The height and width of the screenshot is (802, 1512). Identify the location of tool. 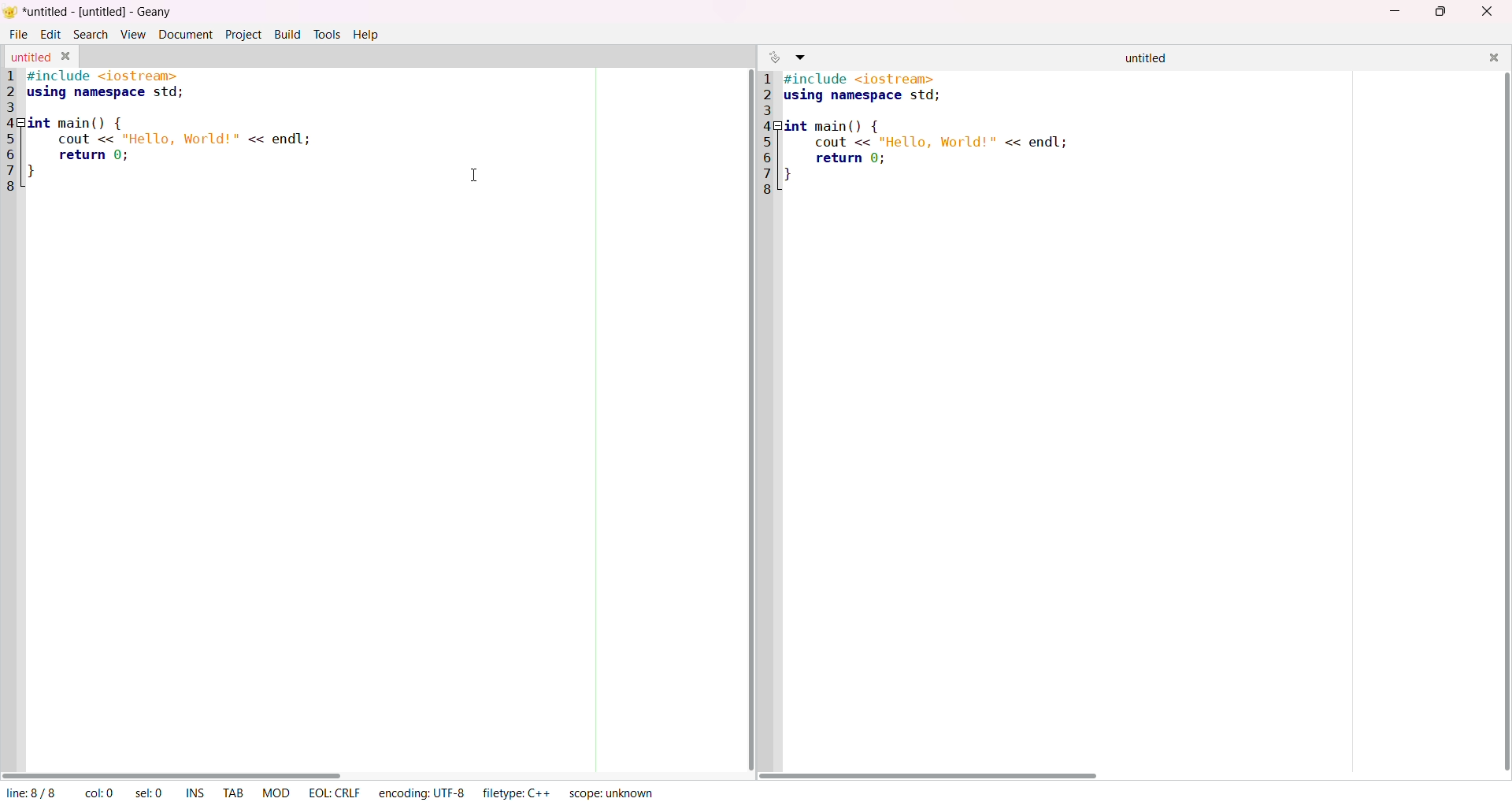
(326, 33).